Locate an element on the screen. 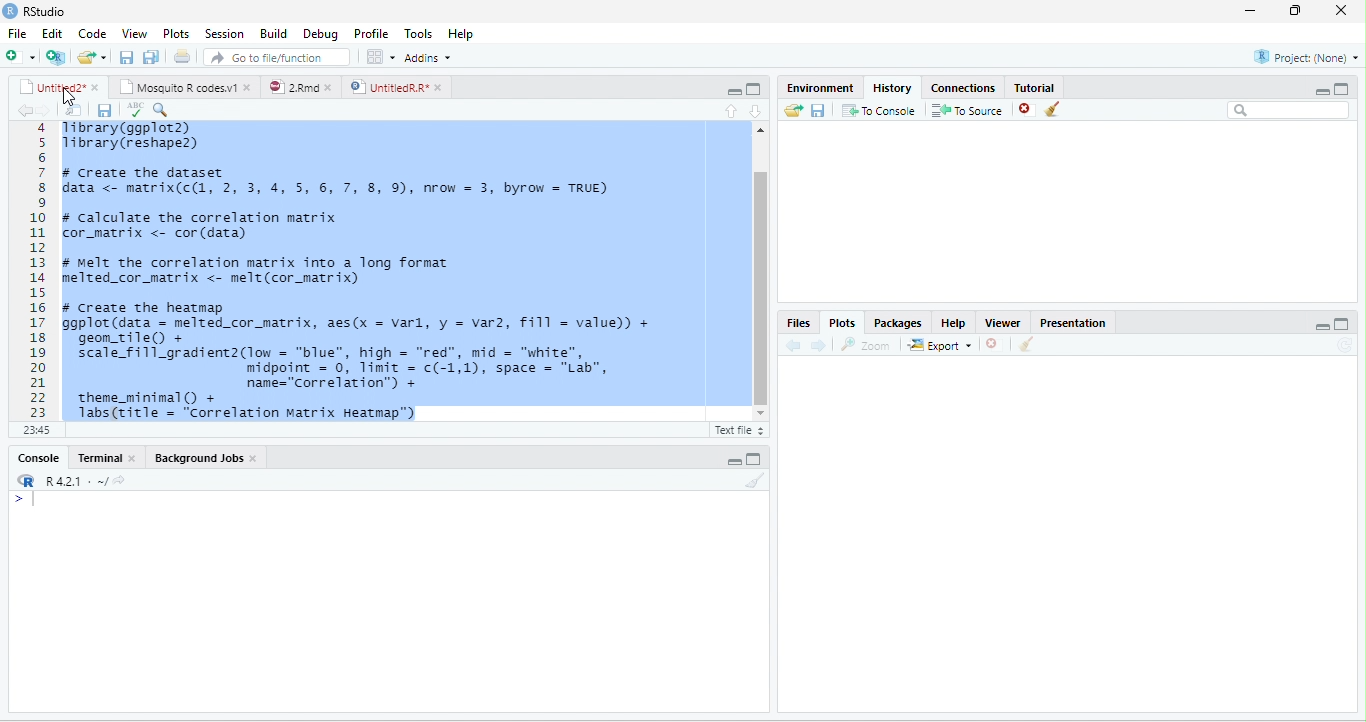 Image resolution: width=1366 pixels, height=722 pixels.  is located at coordinates (153, 55).